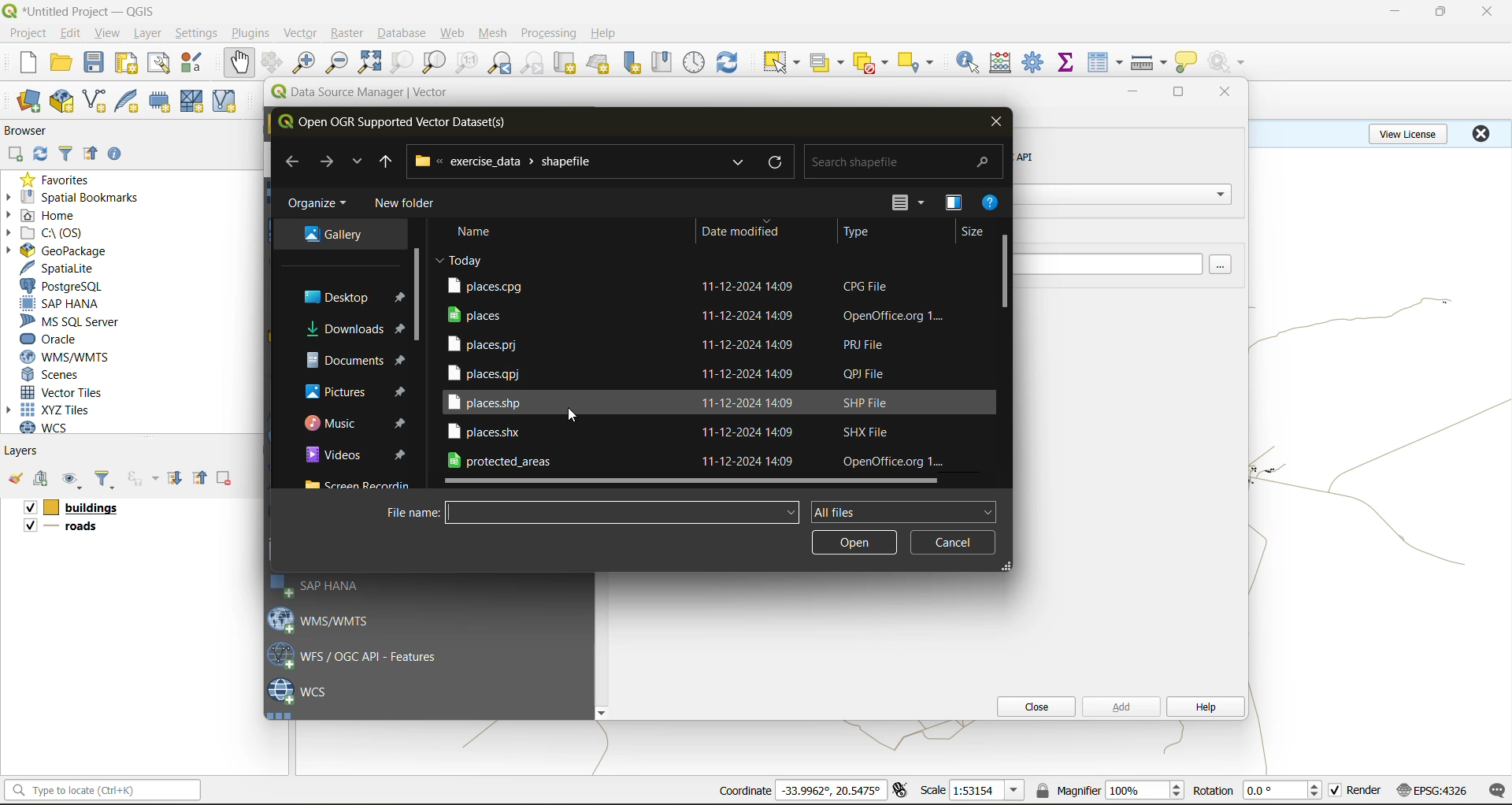 The width and height of the screenshot is (1512, 805). I want to click on folder explorer, so click(356, 360).